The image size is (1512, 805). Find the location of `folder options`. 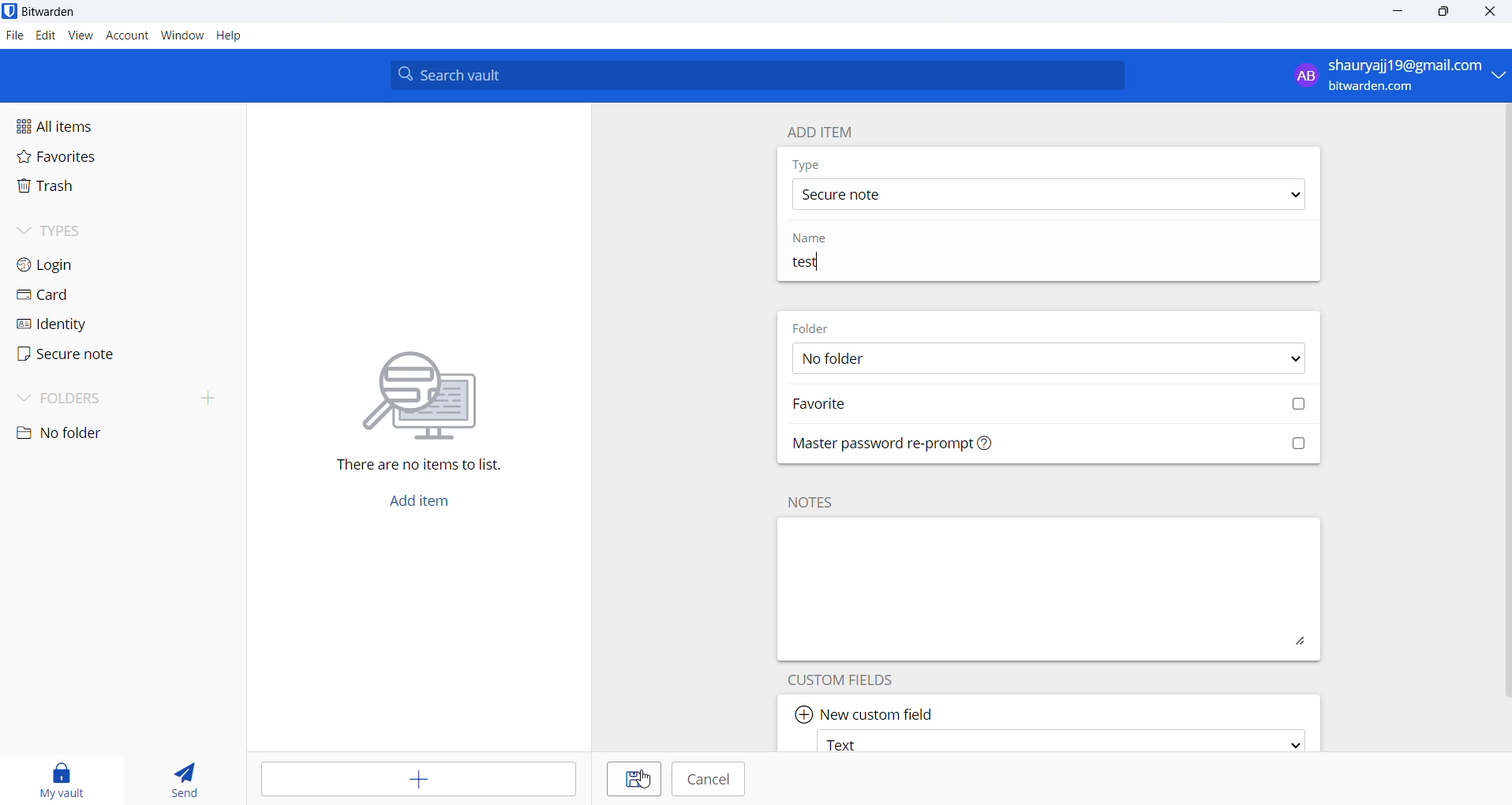

folder options is located at coordinates (1046, 360).